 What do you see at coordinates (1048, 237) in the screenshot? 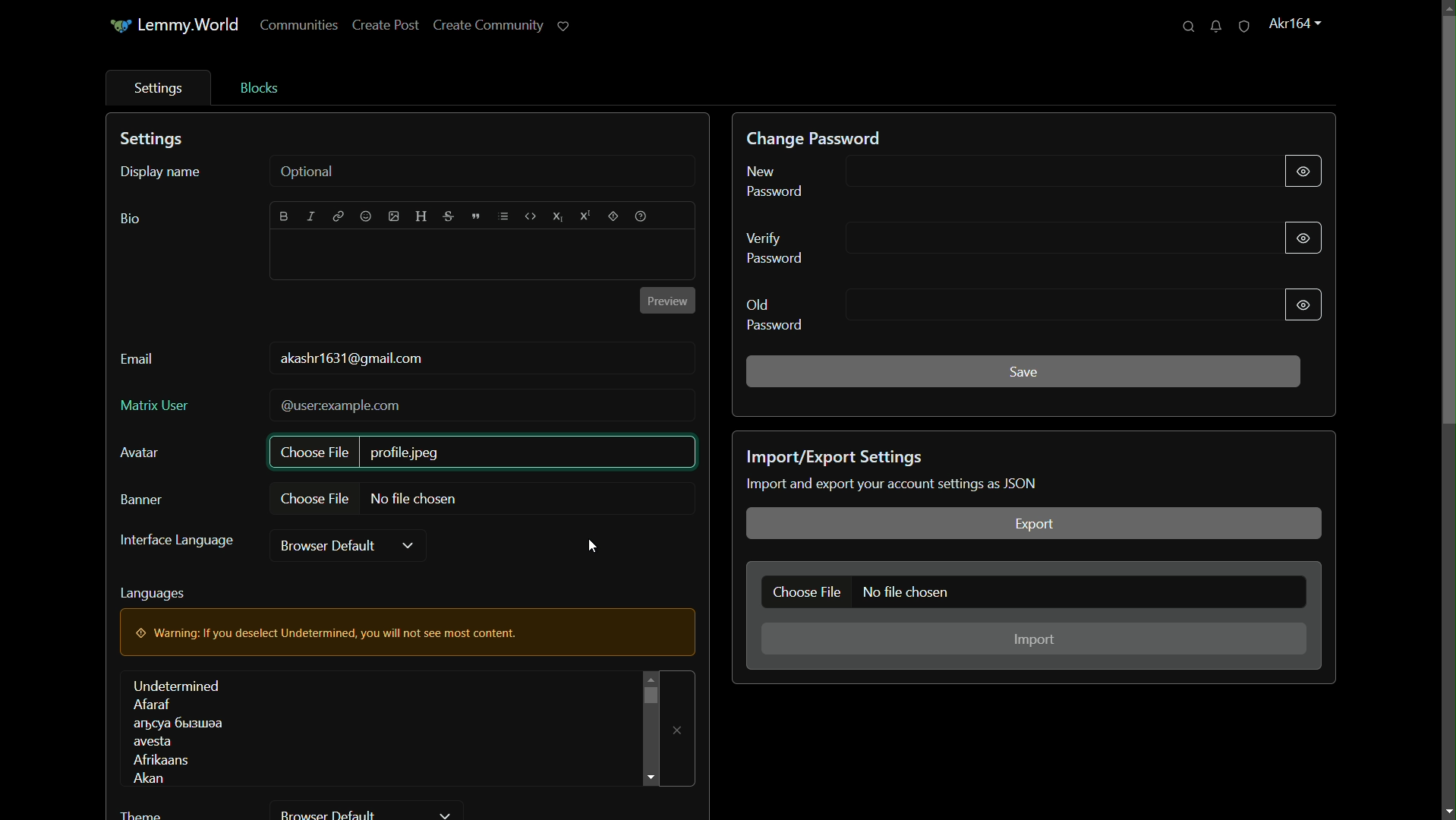
I see `verify password input bar` at bounding box center [1048, 237].